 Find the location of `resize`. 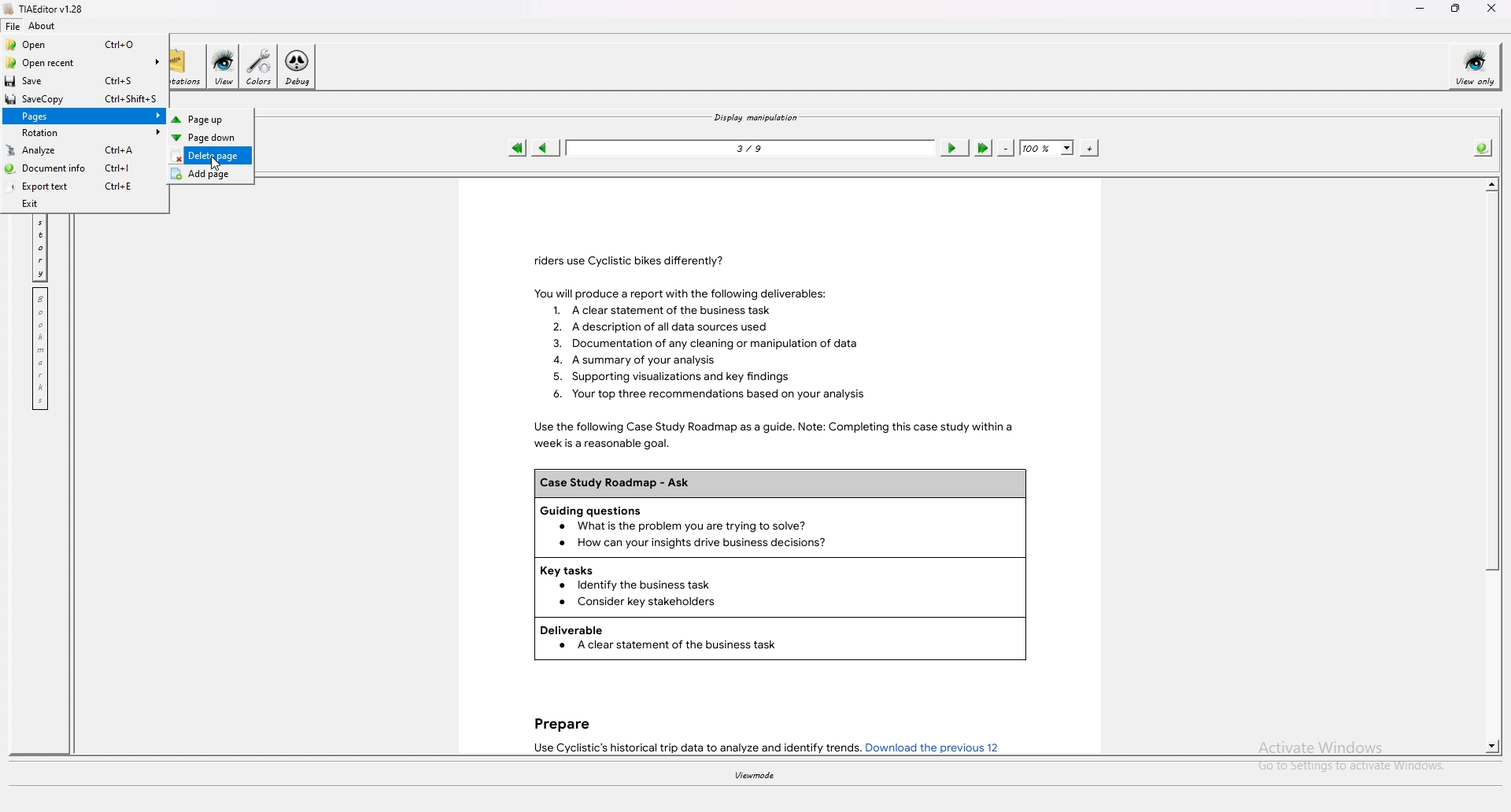

resize is located at coordinates (1457, 8).